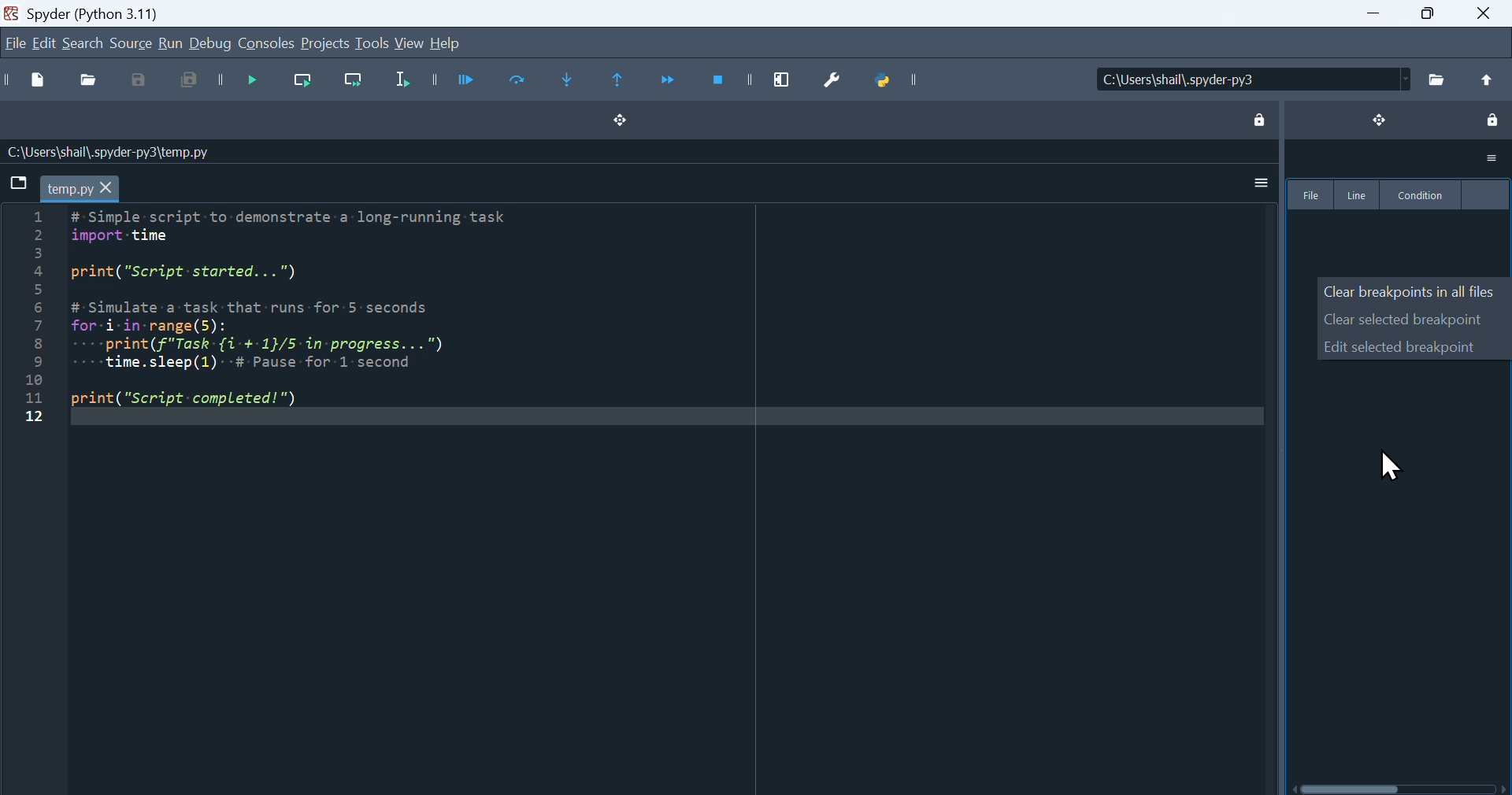 The width and height of the screenshot is (1512, 795). What do you see at coordinates (1401, 346) in the screenshot?
I see `Edit selected breakpoint` at bounding box center [1401, 346].